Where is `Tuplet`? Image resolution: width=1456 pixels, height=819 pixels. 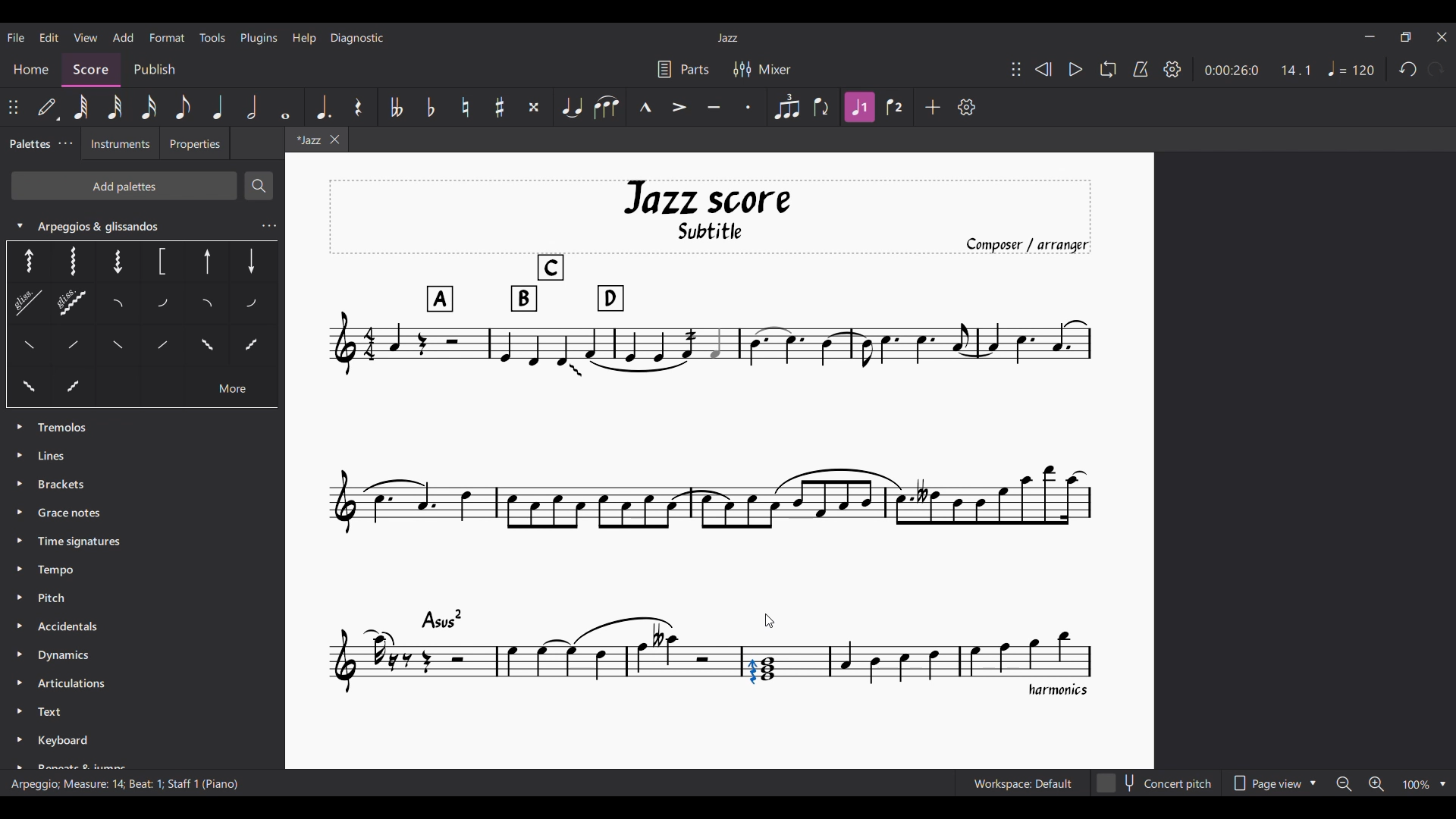 Tuplet is located at coordinates (786, 107).